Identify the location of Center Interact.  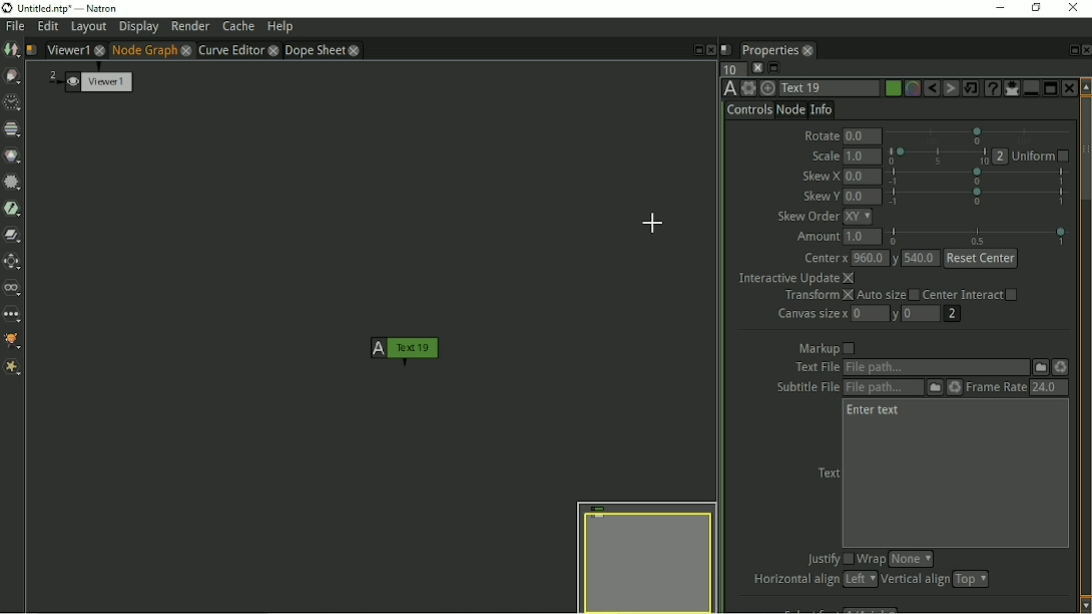
(978, 295).